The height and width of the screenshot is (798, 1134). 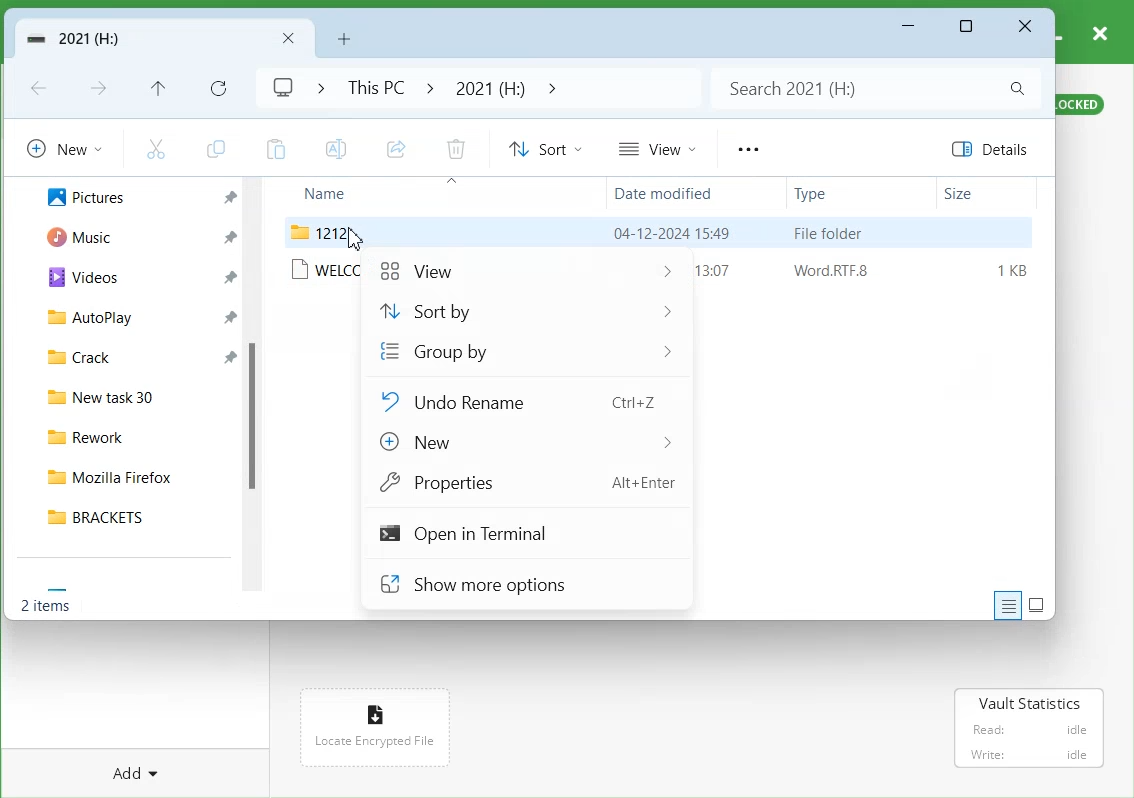 I want to click on More, so click(x=747, y=149).